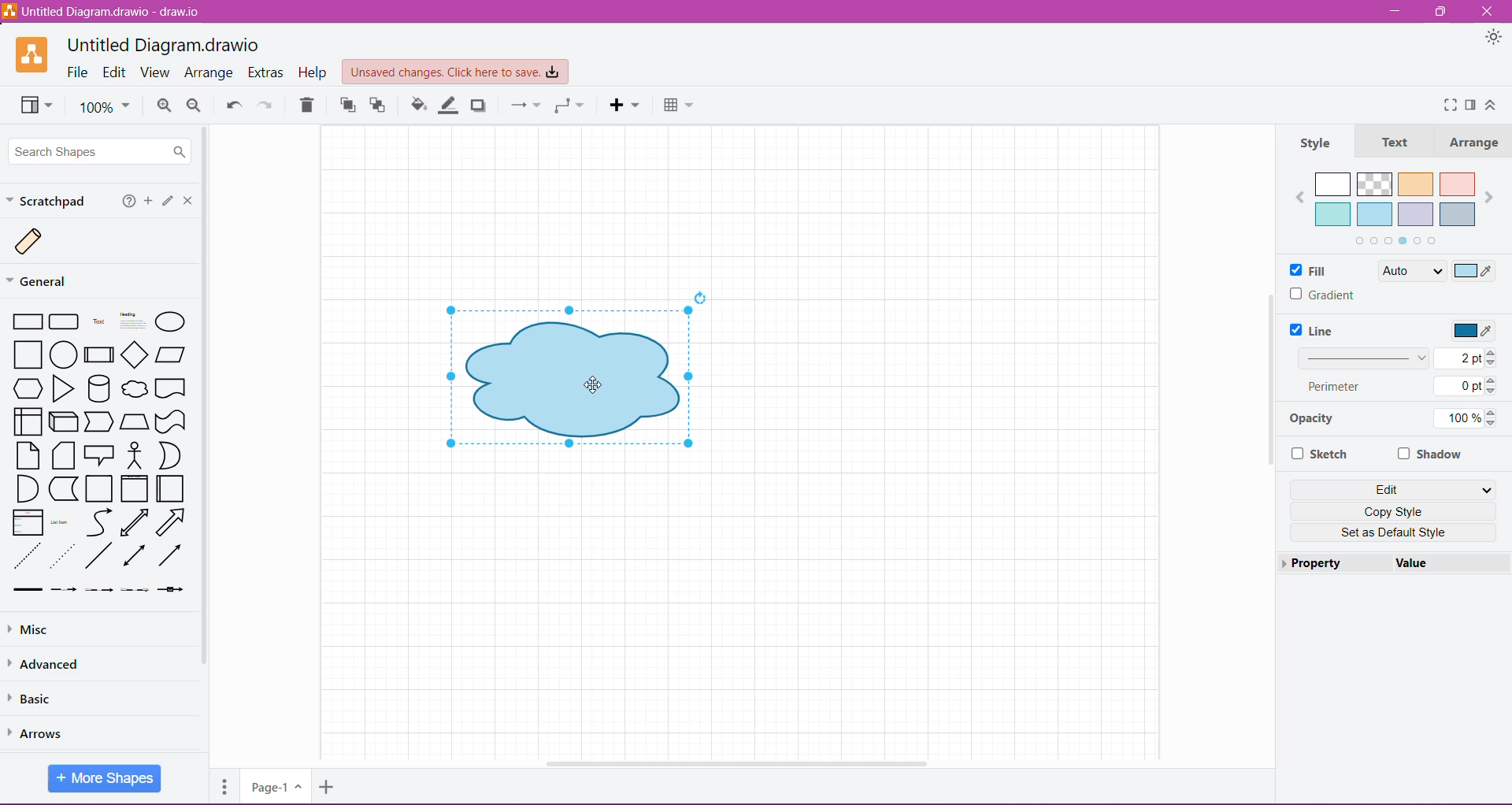  I want to click on Connection, so click(524, 106).